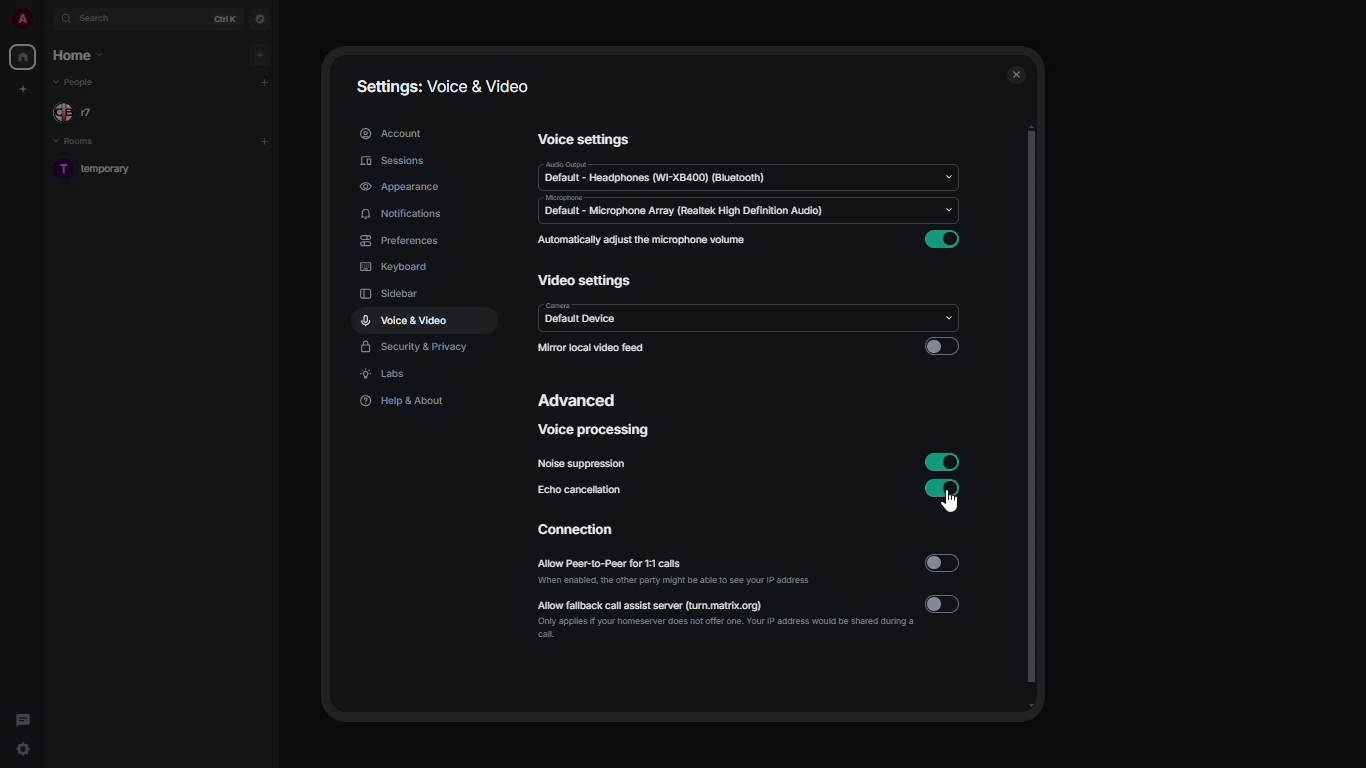 This screenshot has width=1366, height=768. I want to click on keyboard, so click(396, 268).